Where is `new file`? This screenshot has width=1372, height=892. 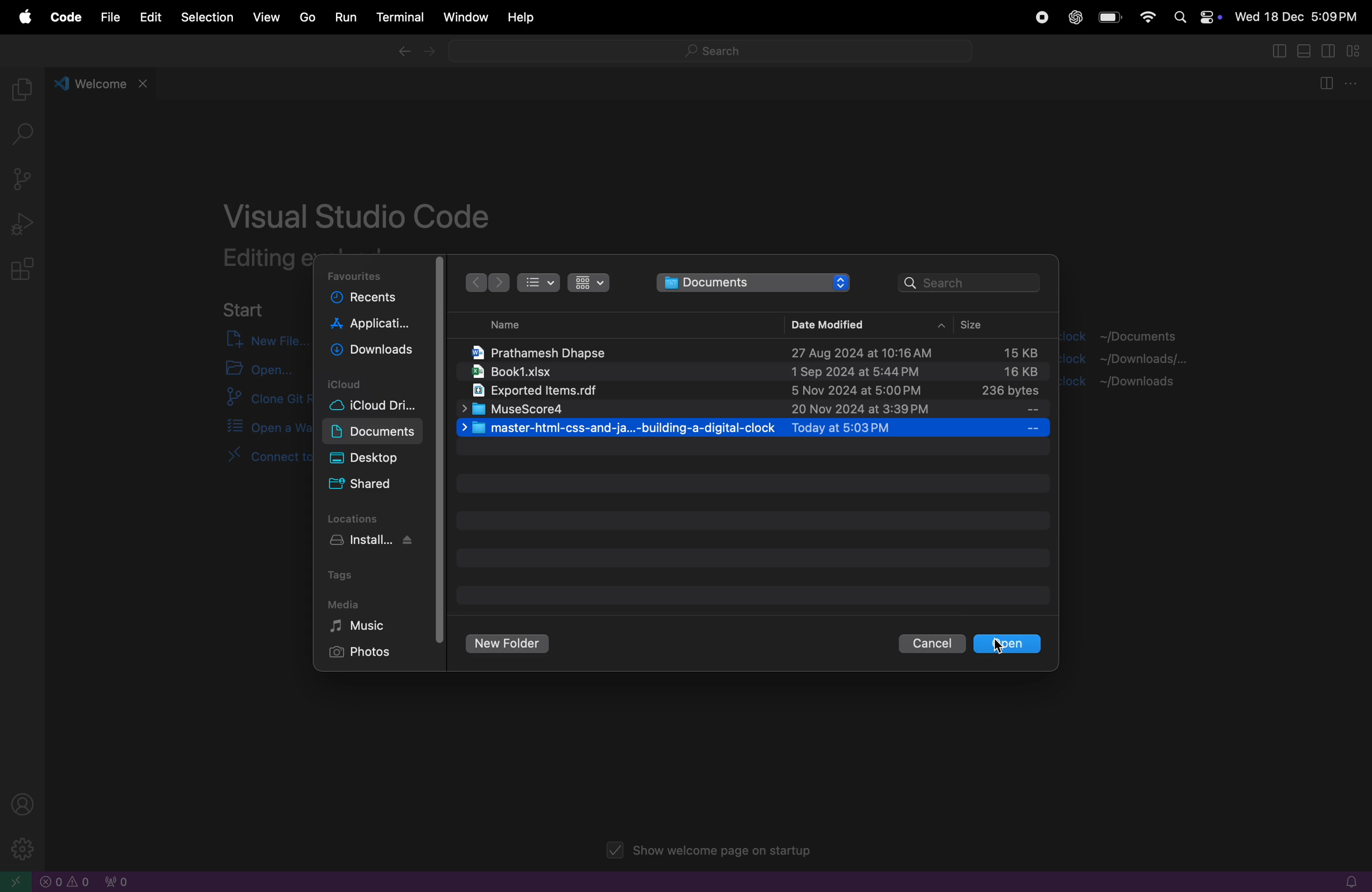 new file is located at coordinates (258, 339).